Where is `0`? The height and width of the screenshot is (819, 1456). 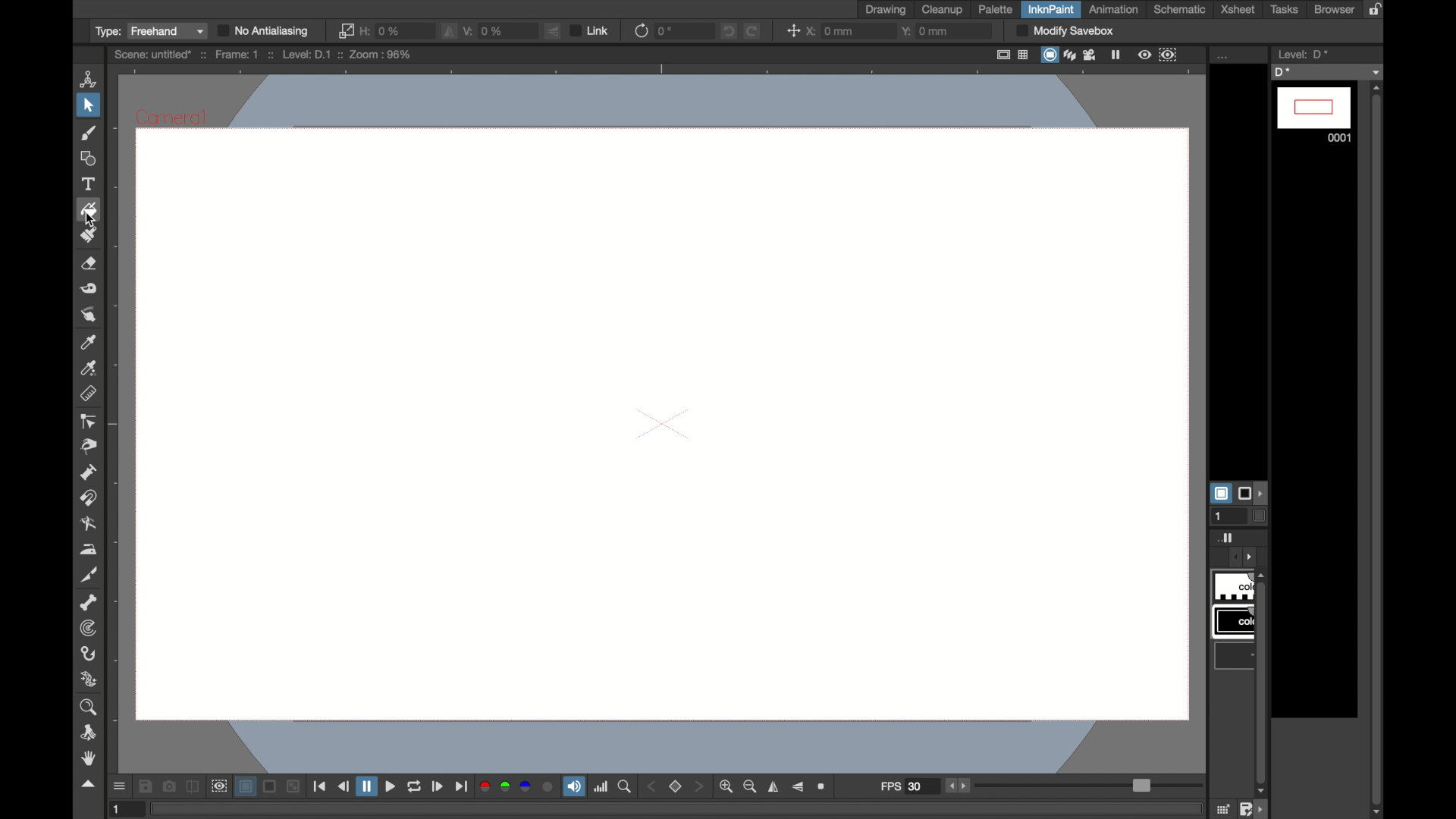
0 is located at coordinates (666, 31).